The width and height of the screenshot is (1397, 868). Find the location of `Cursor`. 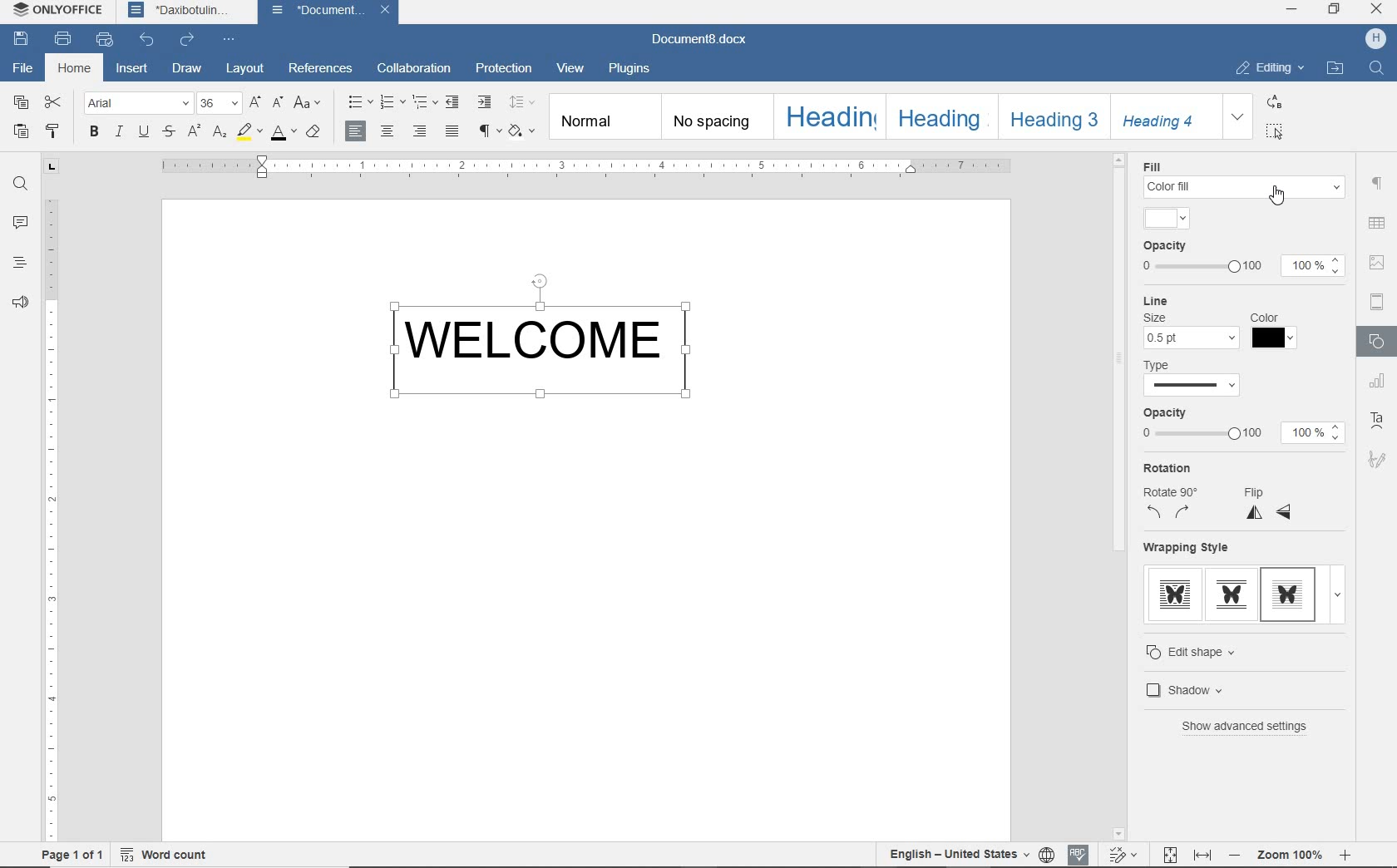

Cursor is located at coordinates (1276, 195).